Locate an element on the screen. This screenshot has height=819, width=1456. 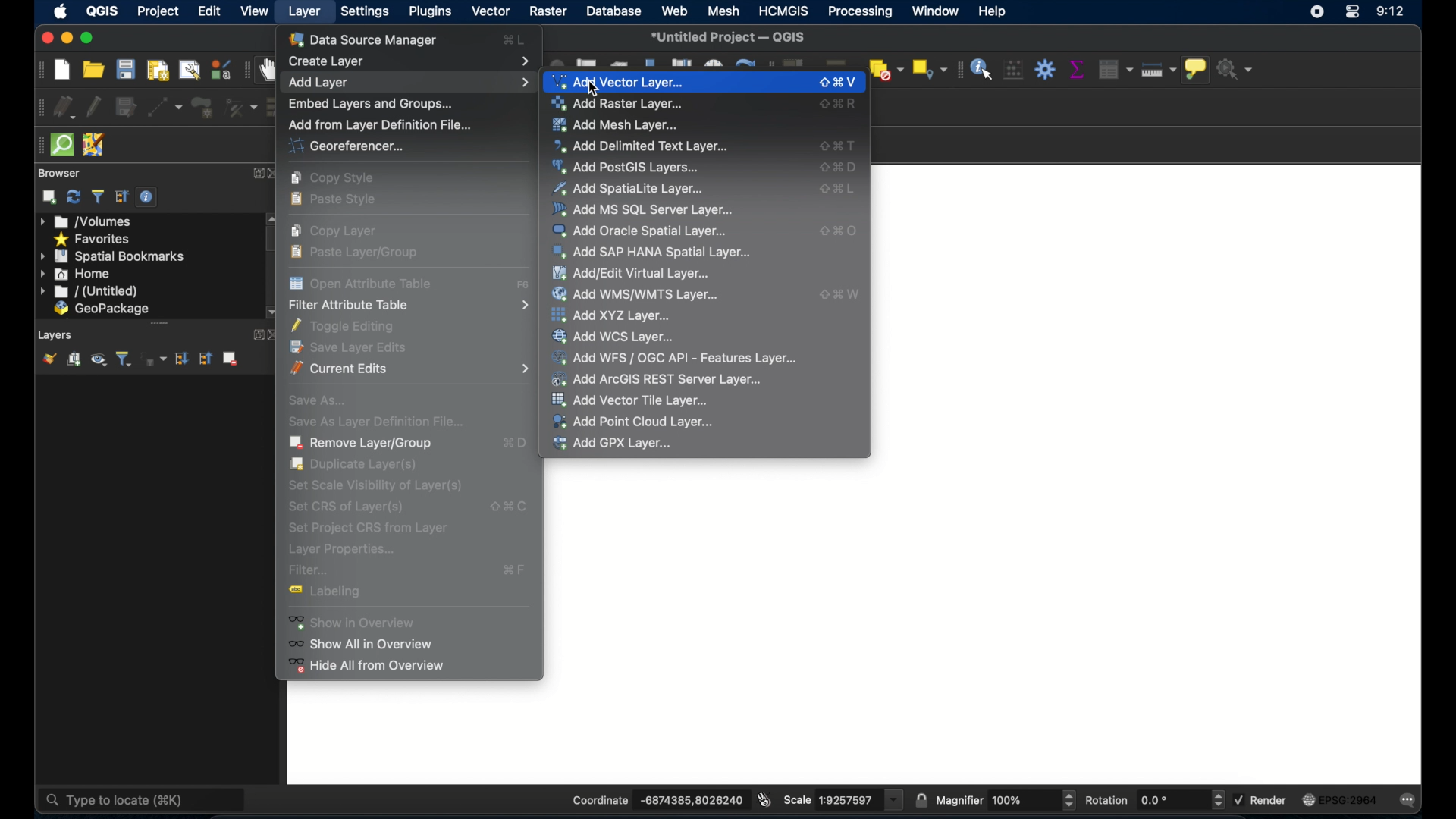
Create Layer is located at coordinates (409, 61).